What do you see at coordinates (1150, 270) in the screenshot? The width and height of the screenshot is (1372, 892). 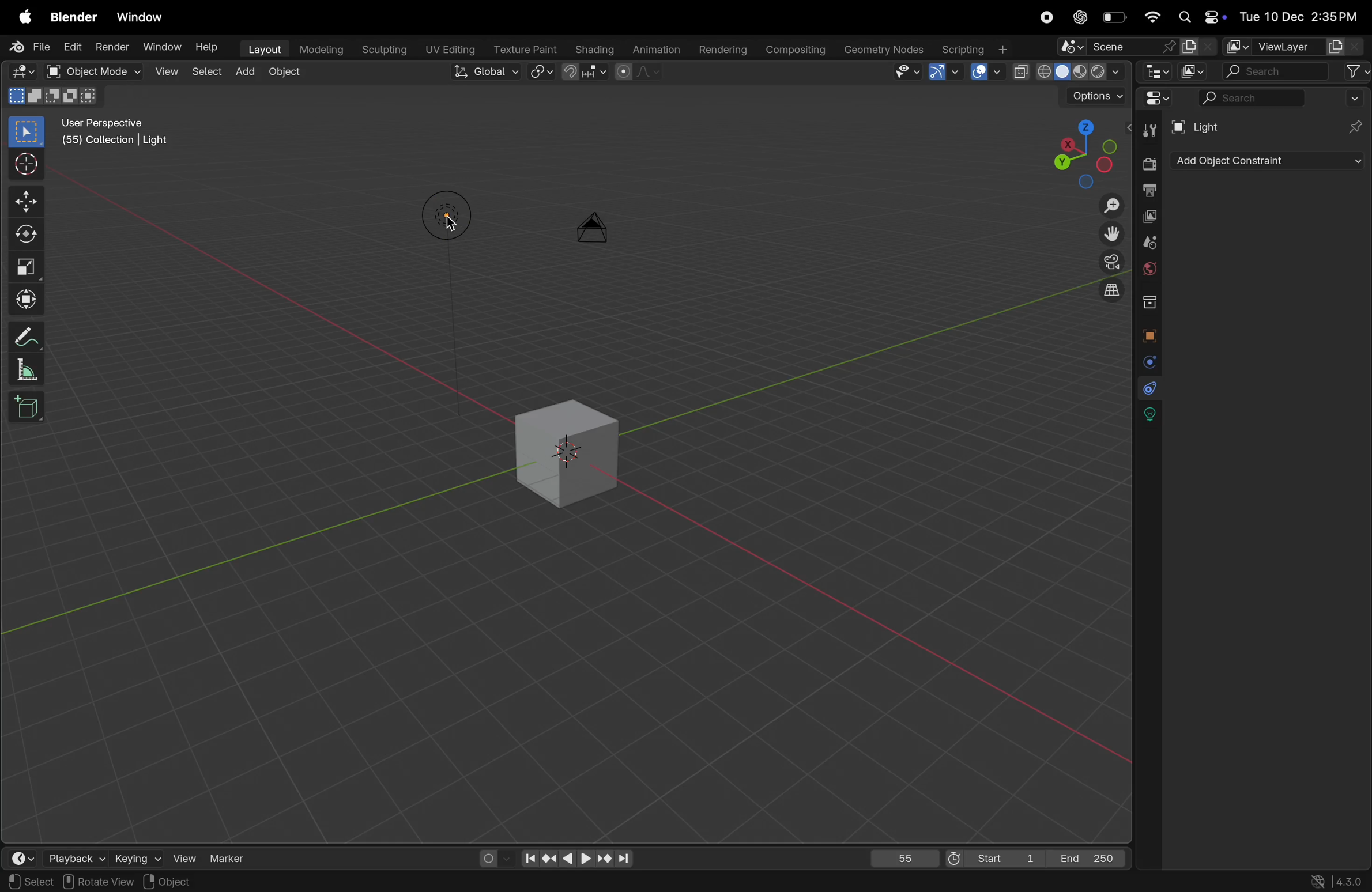 I see `world` at bounding box center [1150, 270].